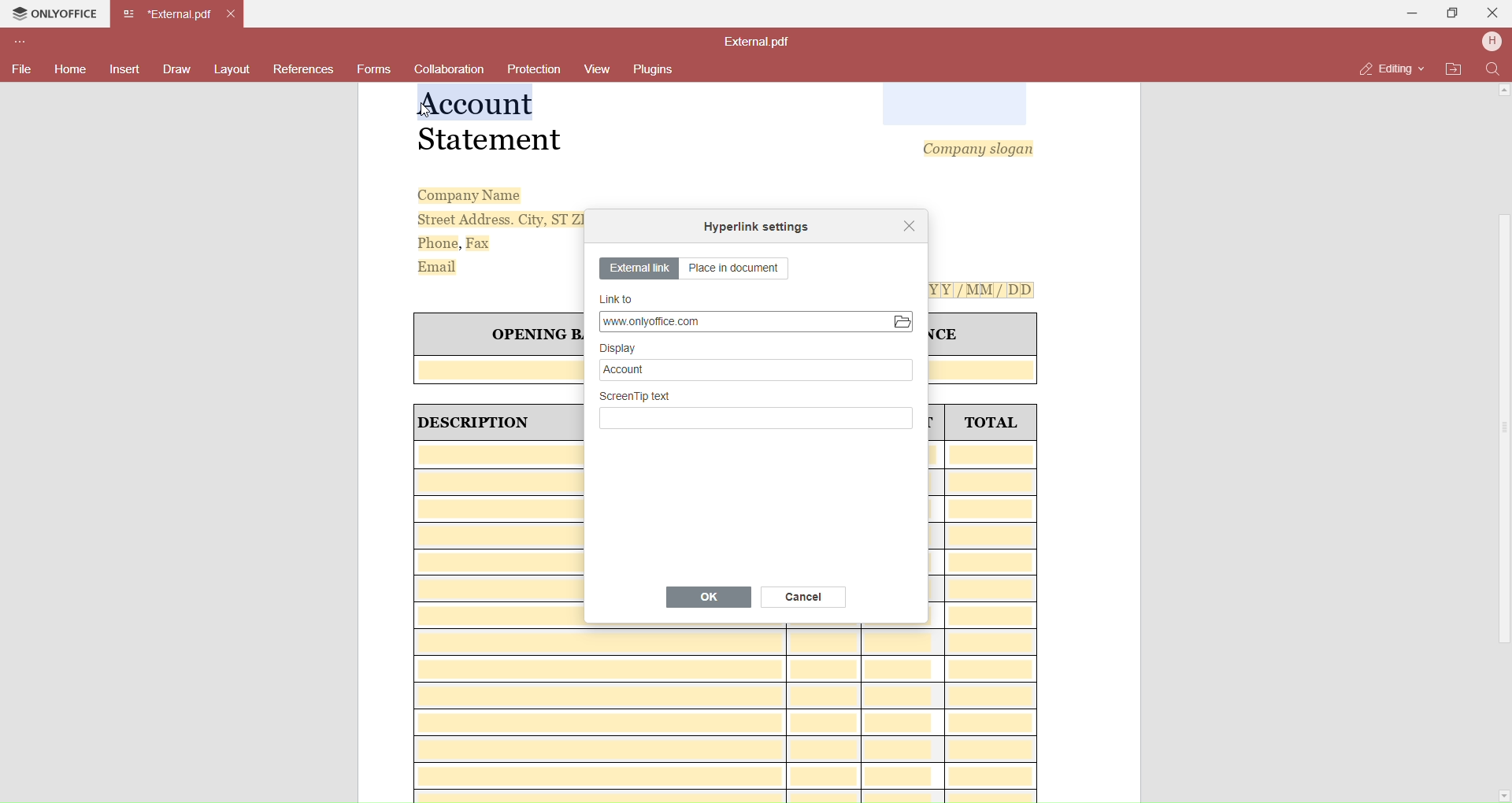 The image size is (1512, 803). Describe the element at coordinates (595, 70) in the screenshot. I see `View` at that location.